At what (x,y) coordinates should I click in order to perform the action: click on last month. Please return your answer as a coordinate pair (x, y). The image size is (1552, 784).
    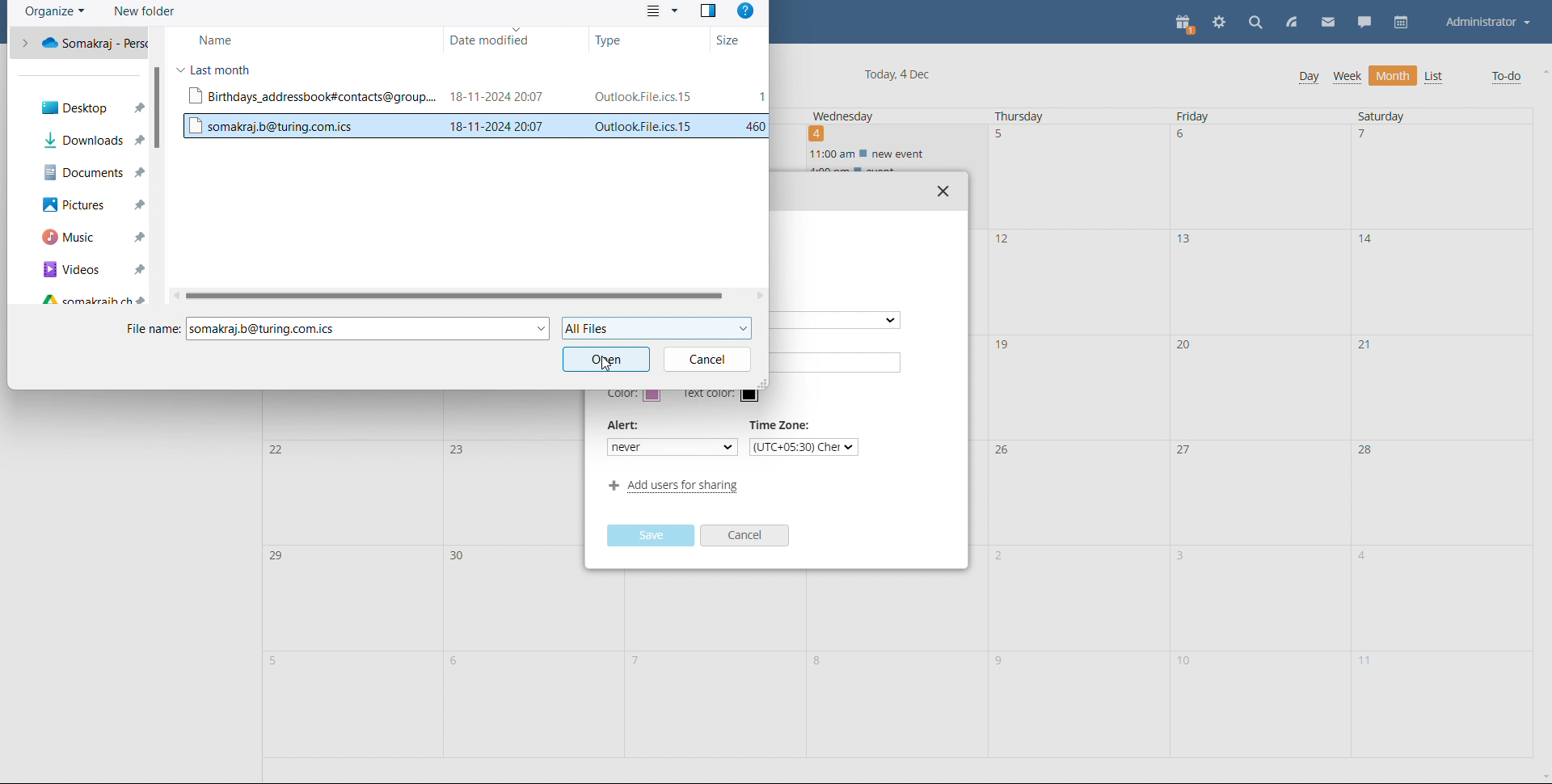
    Looking at the image, I should click on (221, 69).